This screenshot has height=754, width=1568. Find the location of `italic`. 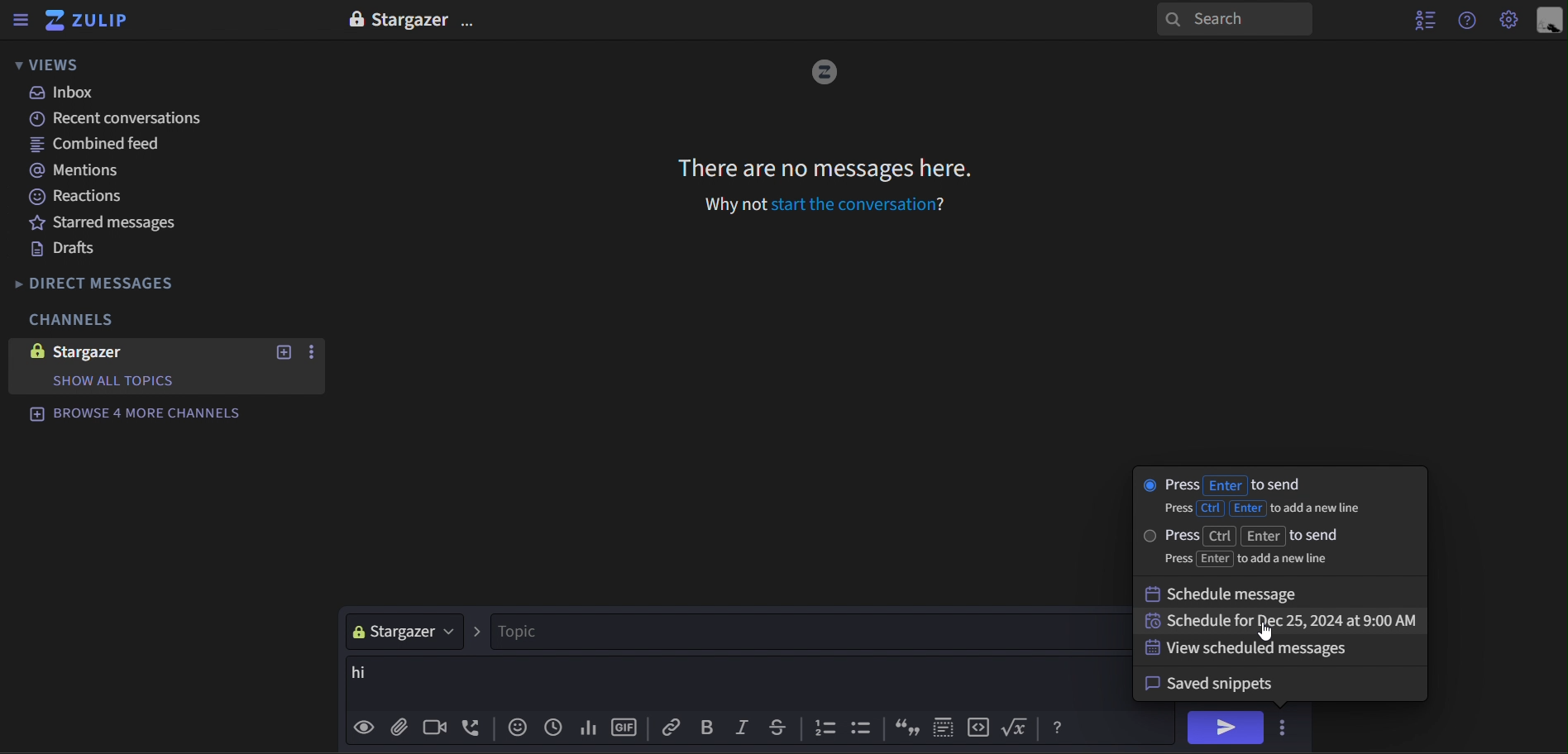

italic is located at coordinates (743, 730).